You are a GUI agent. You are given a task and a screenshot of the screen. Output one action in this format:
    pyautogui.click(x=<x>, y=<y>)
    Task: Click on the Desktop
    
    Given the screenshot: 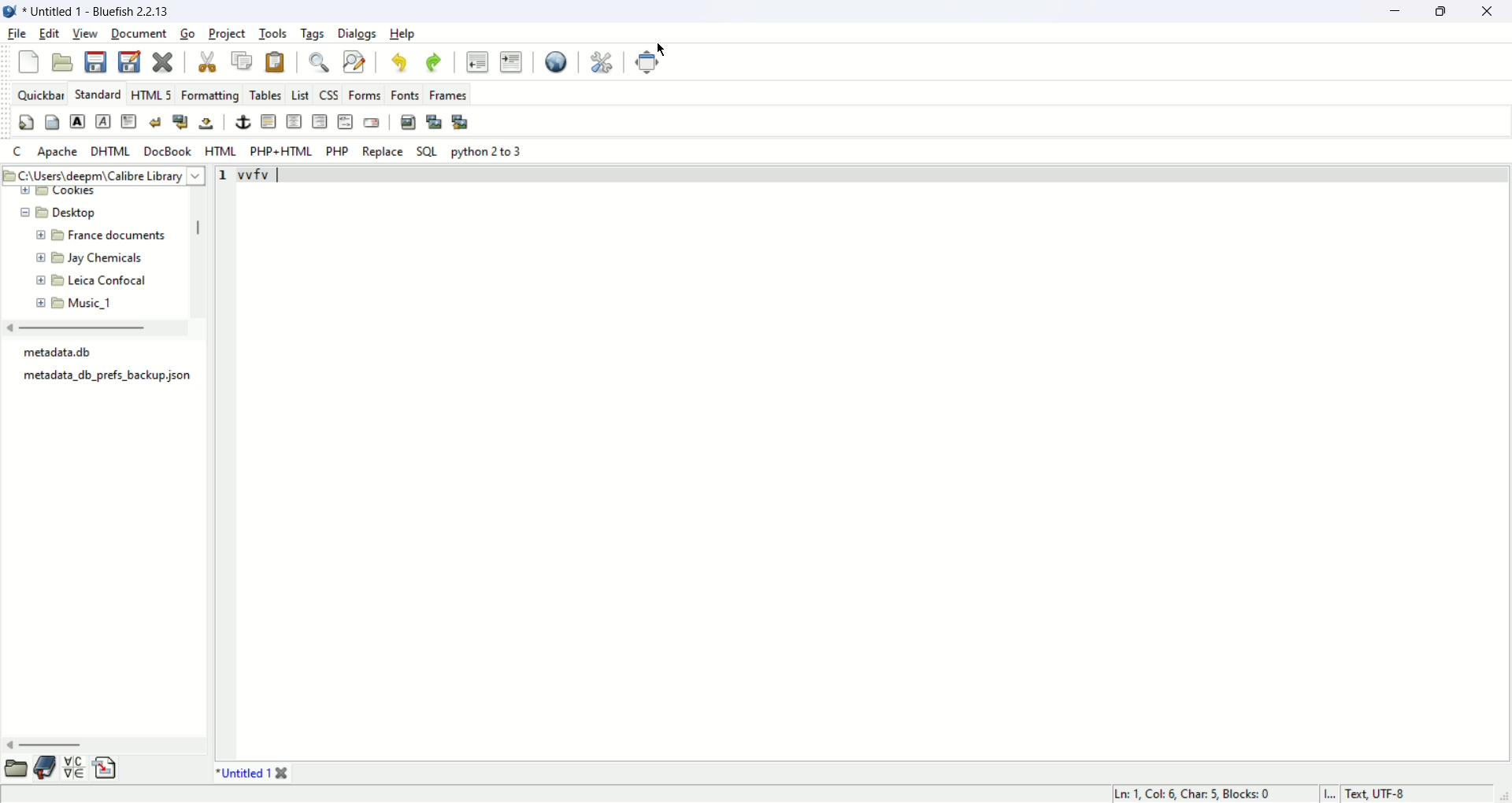 What is the action you would take?
    pyautogui.click(x=83, y=213)
    